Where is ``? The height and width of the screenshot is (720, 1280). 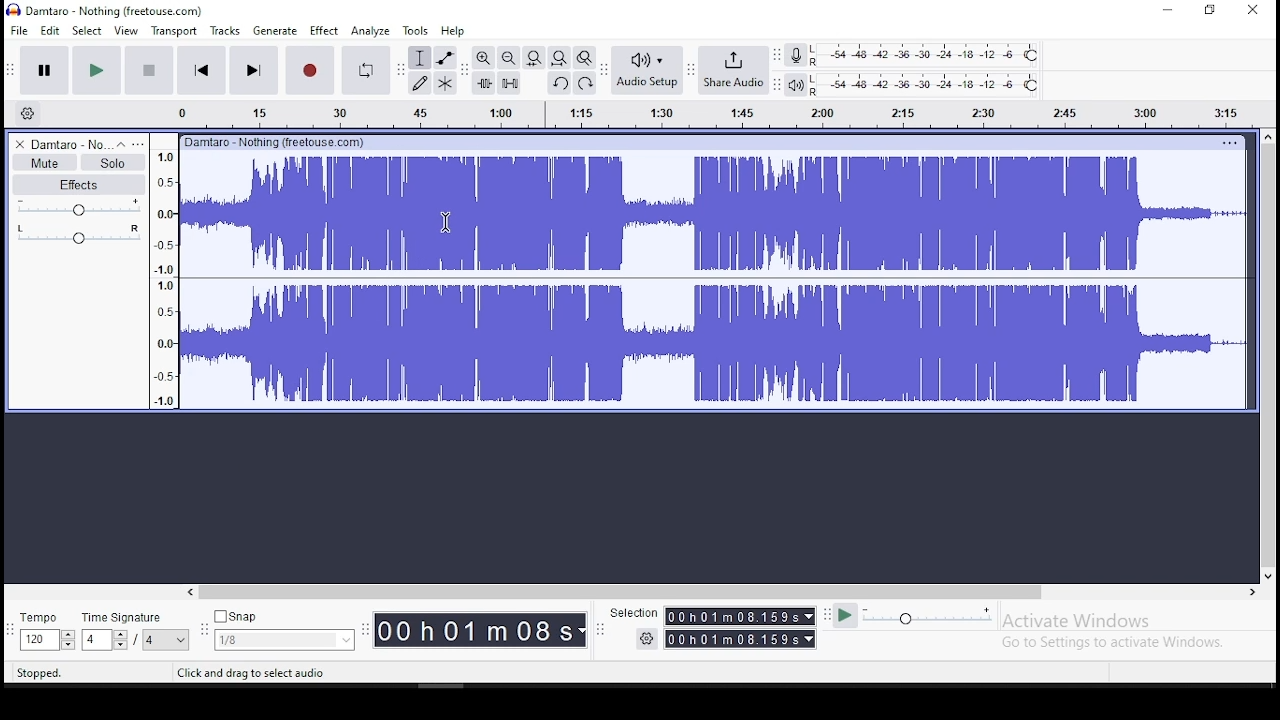  is located at coordinates (10, 69).